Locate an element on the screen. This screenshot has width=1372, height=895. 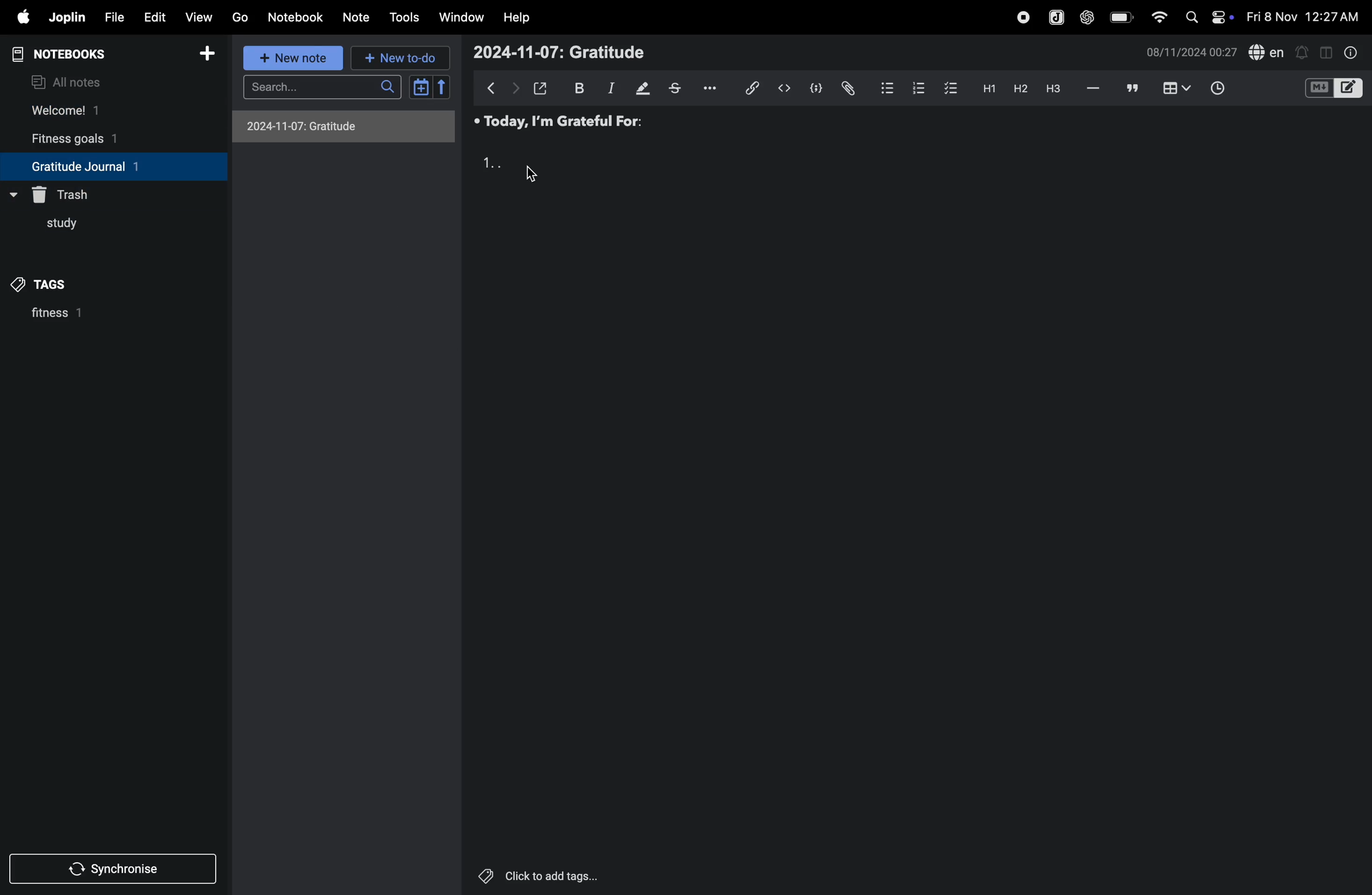
view is located at coordinates (195, 18).